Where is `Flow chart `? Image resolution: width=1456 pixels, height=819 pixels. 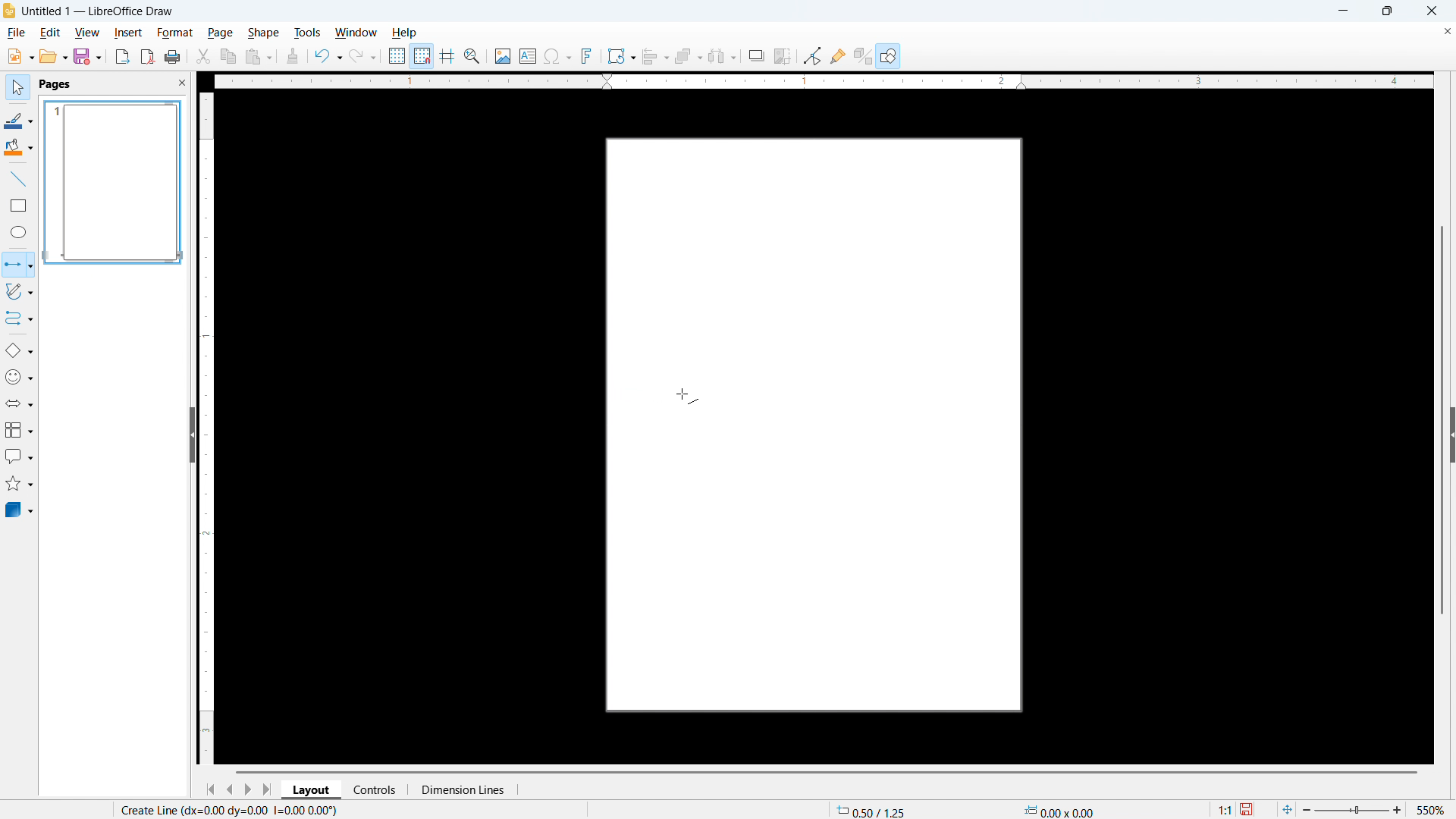 Flow chart  is located at coordinates (19, 430).